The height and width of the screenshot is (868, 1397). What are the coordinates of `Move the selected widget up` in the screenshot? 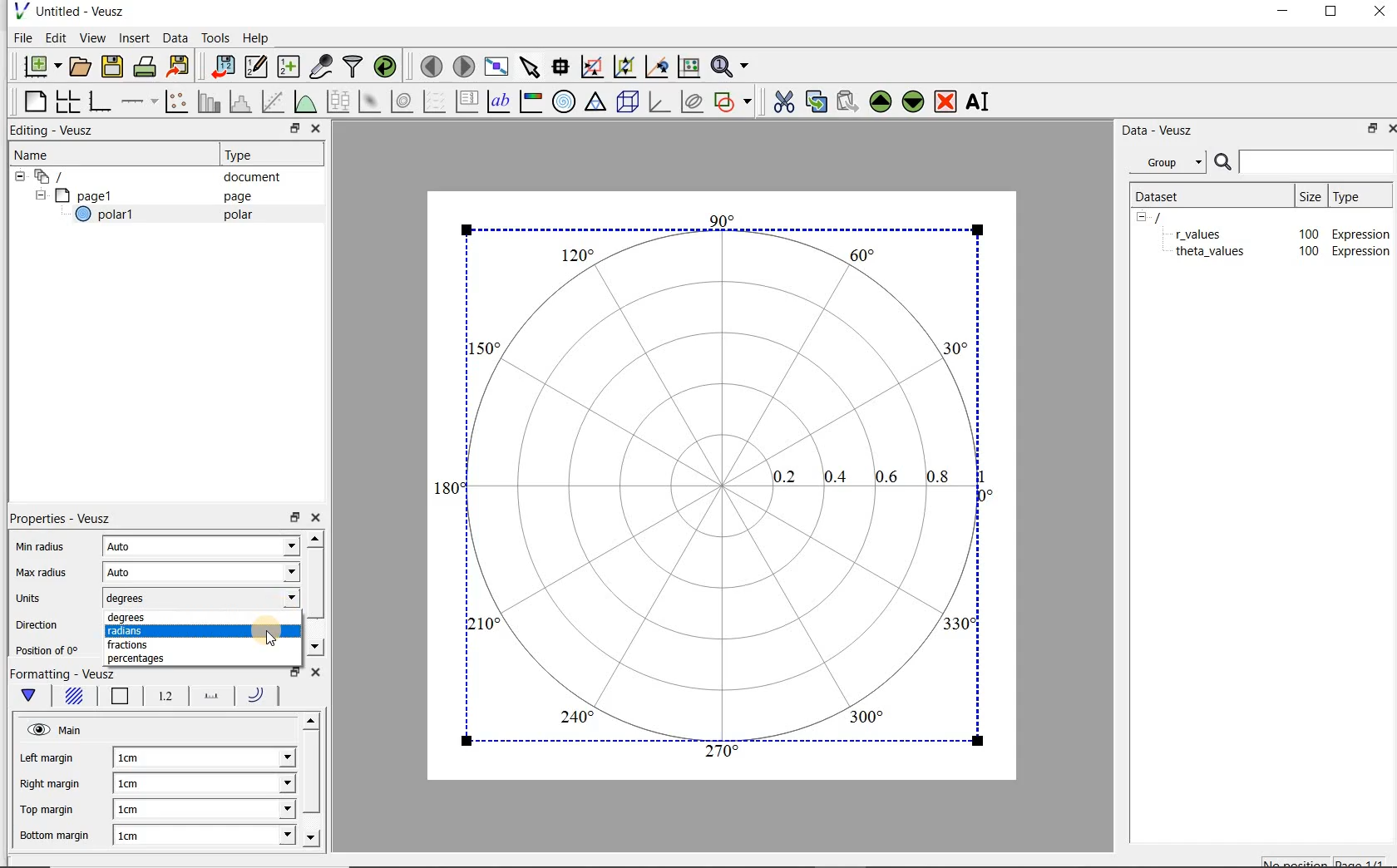 It's located at (881, 101).